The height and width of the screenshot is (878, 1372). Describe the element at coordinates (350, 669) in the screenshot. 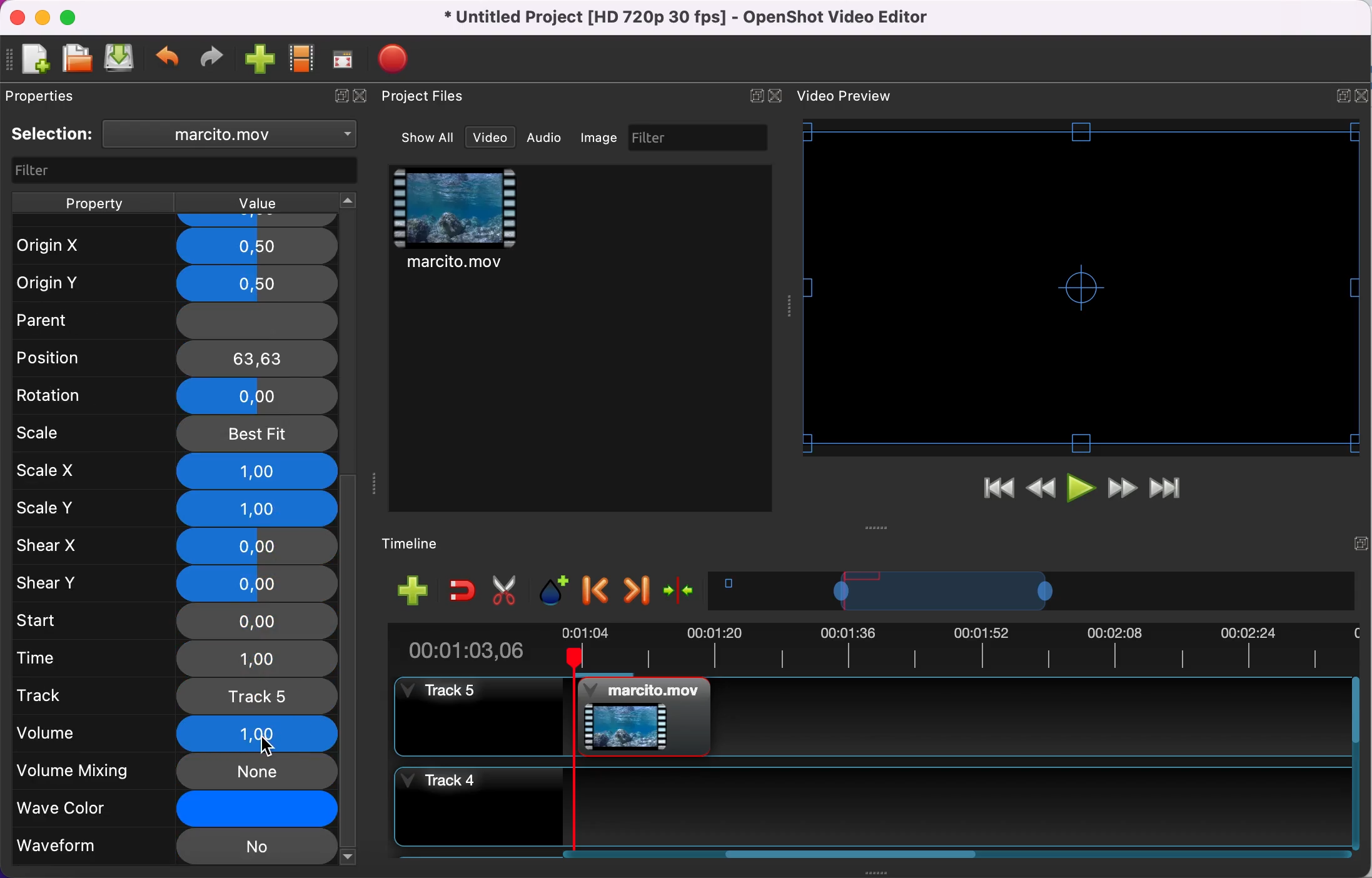

I see `vertical scroll bar` at that location.